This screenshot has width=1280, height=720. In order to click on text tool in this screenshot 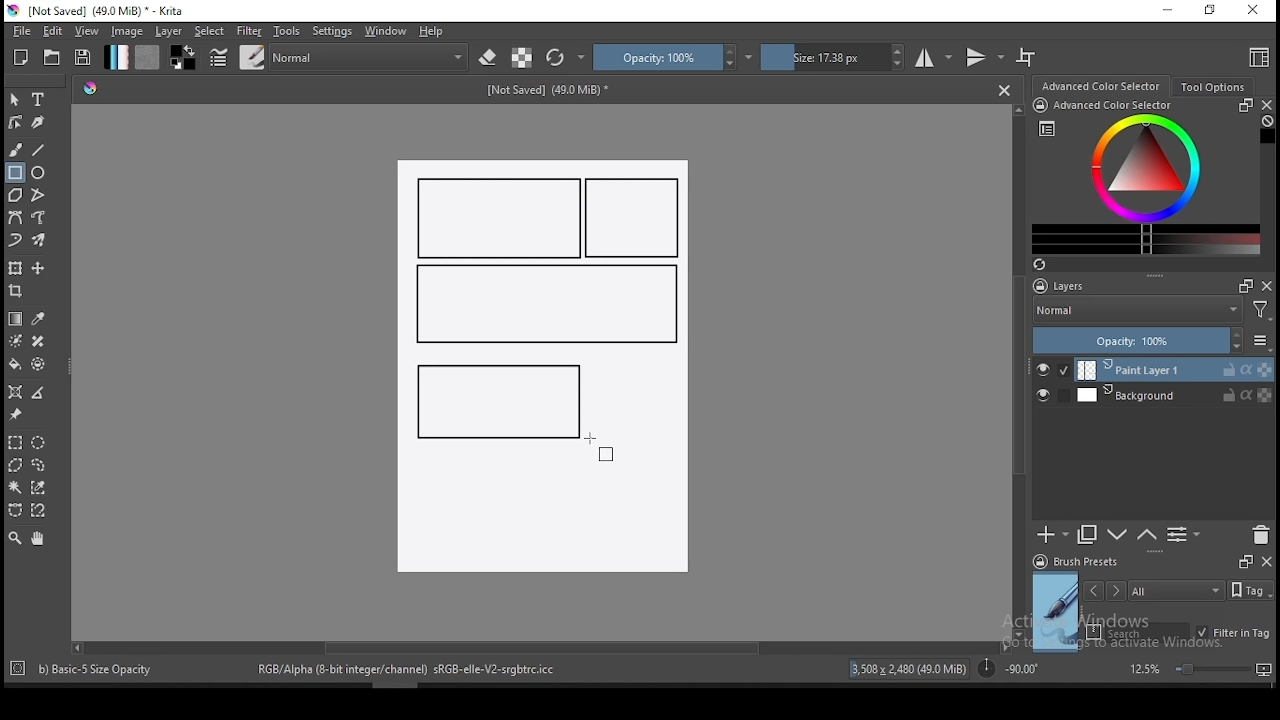, I will do `click(39, 100)`.